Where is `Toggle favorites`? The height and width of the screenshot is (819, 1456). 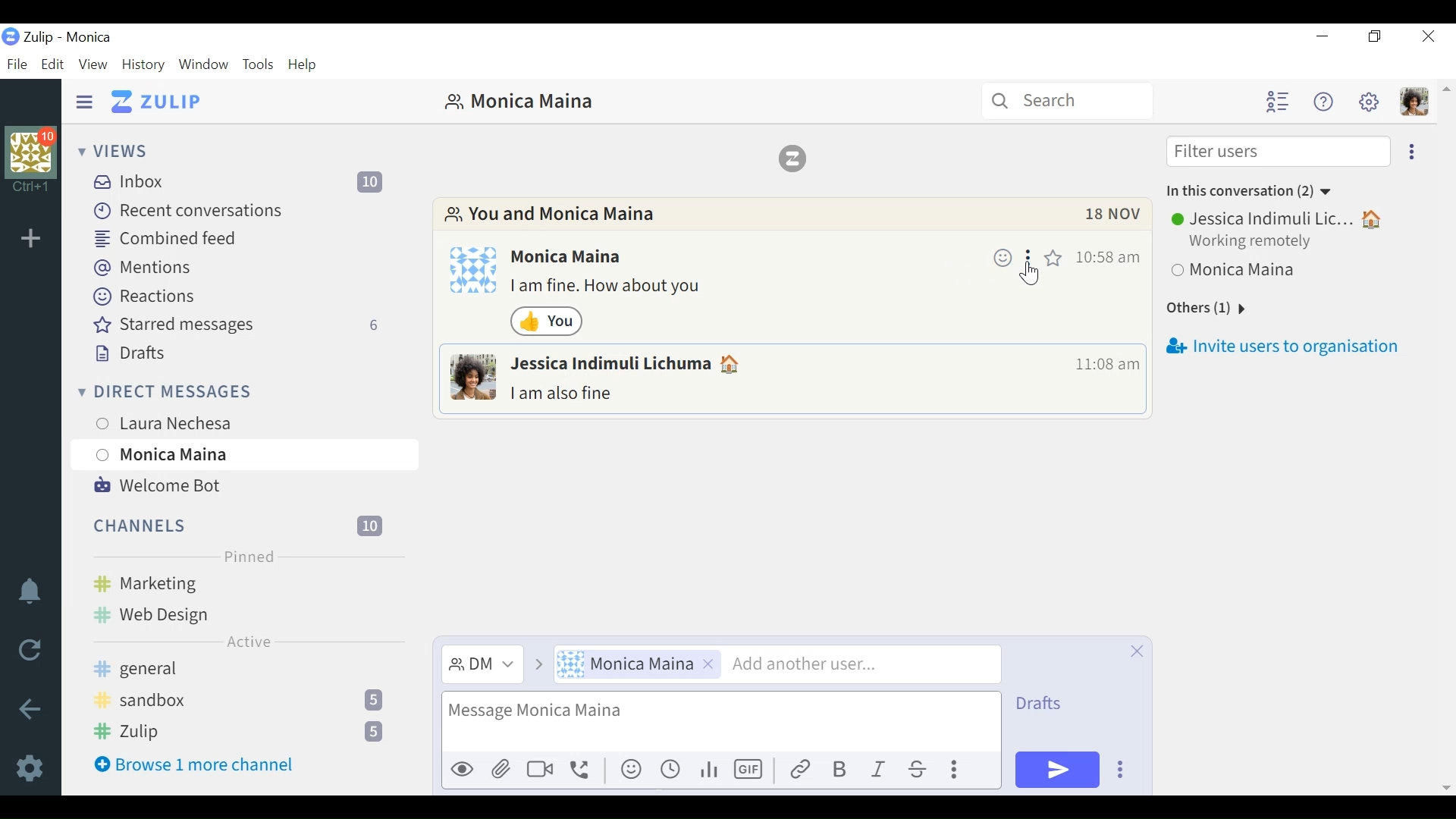 Toggle favorites is located at coordinates (1053, 256).